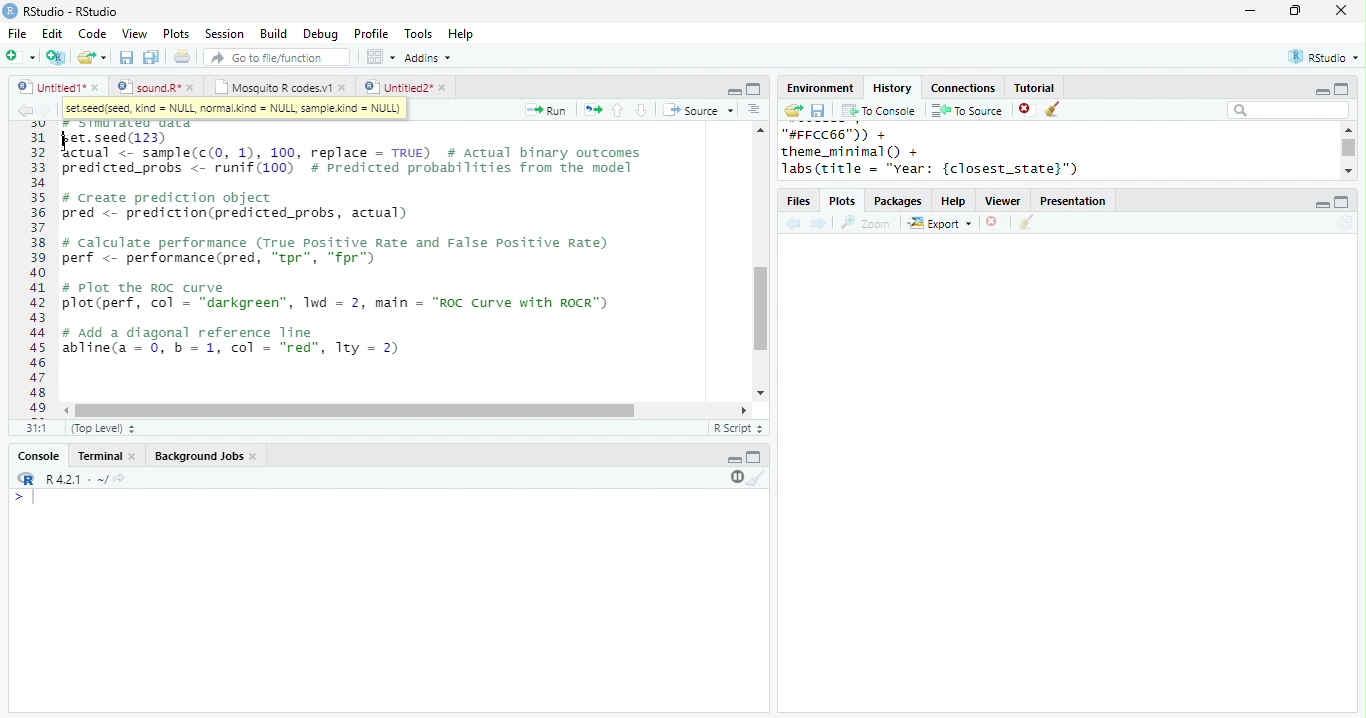 The height and width of the screenshot is (718, 1366). Describe the element at coordinates (879, 111) in the screenshot. I see `To console` at that location.